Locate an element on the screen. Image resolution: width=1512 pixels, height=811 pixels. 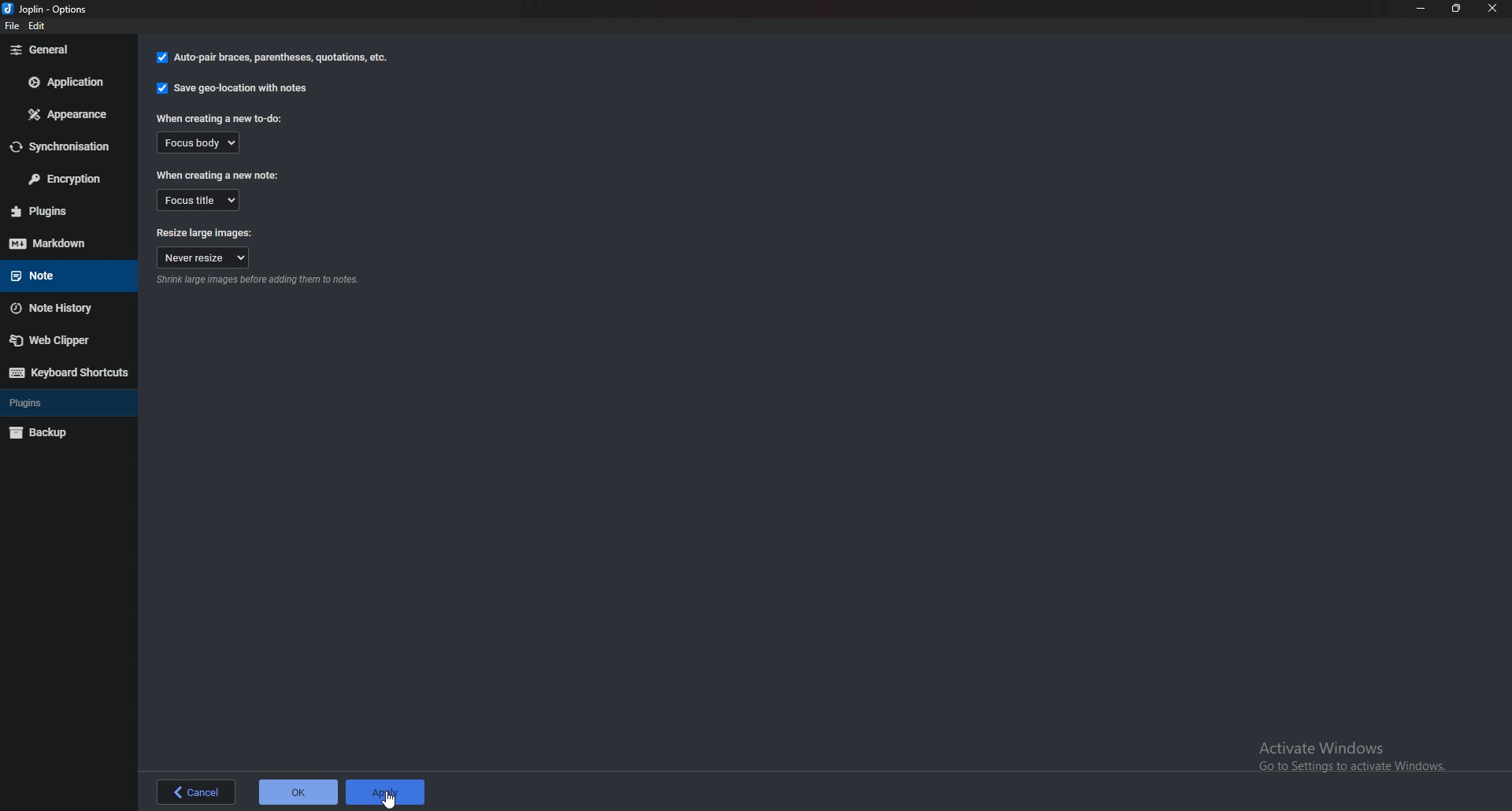
note is located at coordinates (61, 274).